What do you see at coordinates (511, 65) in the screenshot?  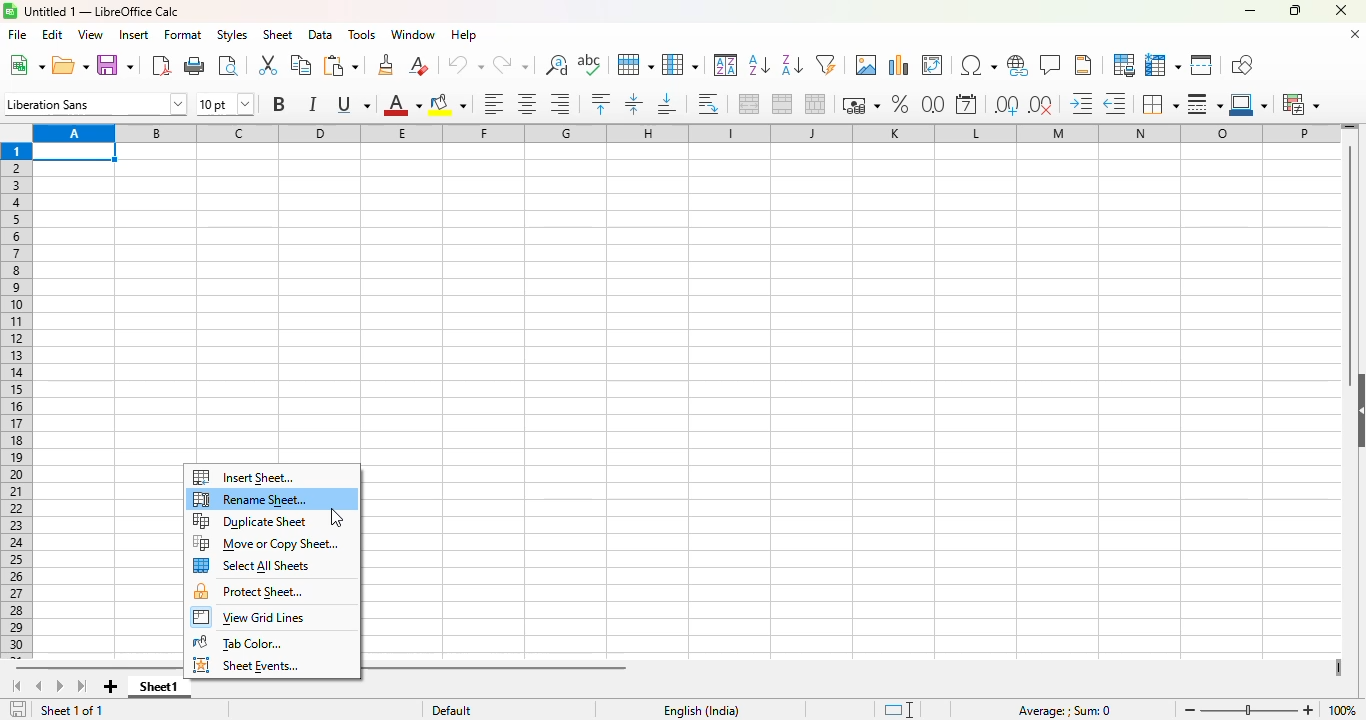 I see `redo` at bounding box center [511, 65].